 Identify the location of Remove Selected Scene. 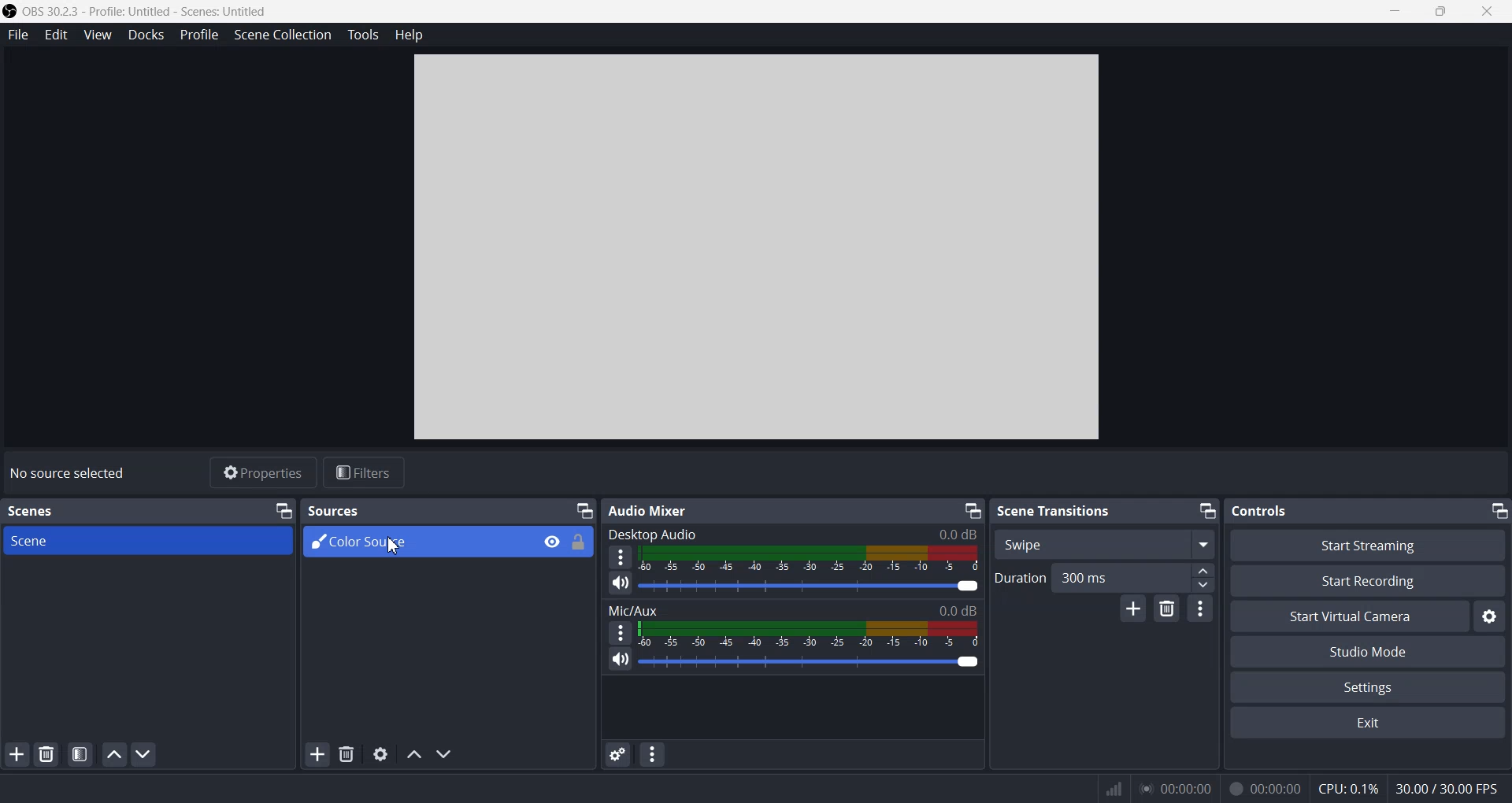
(48, 754).